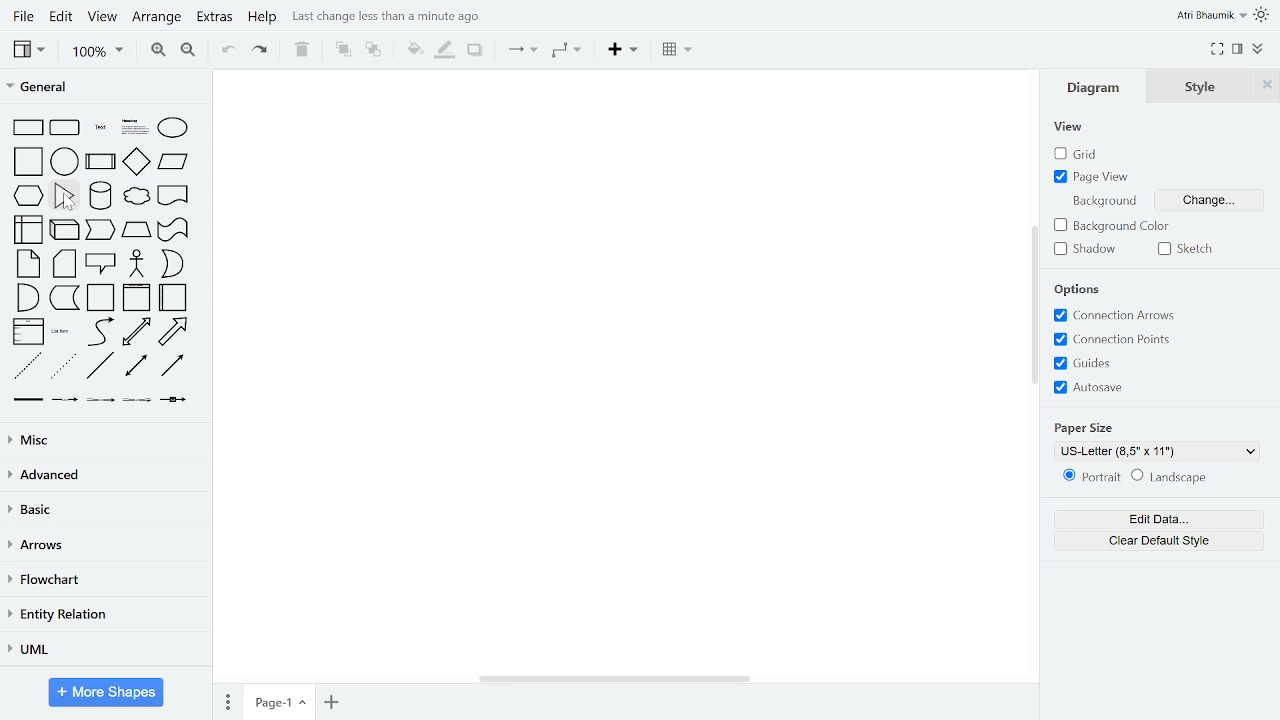  I want to click on step, so click(102, 231).